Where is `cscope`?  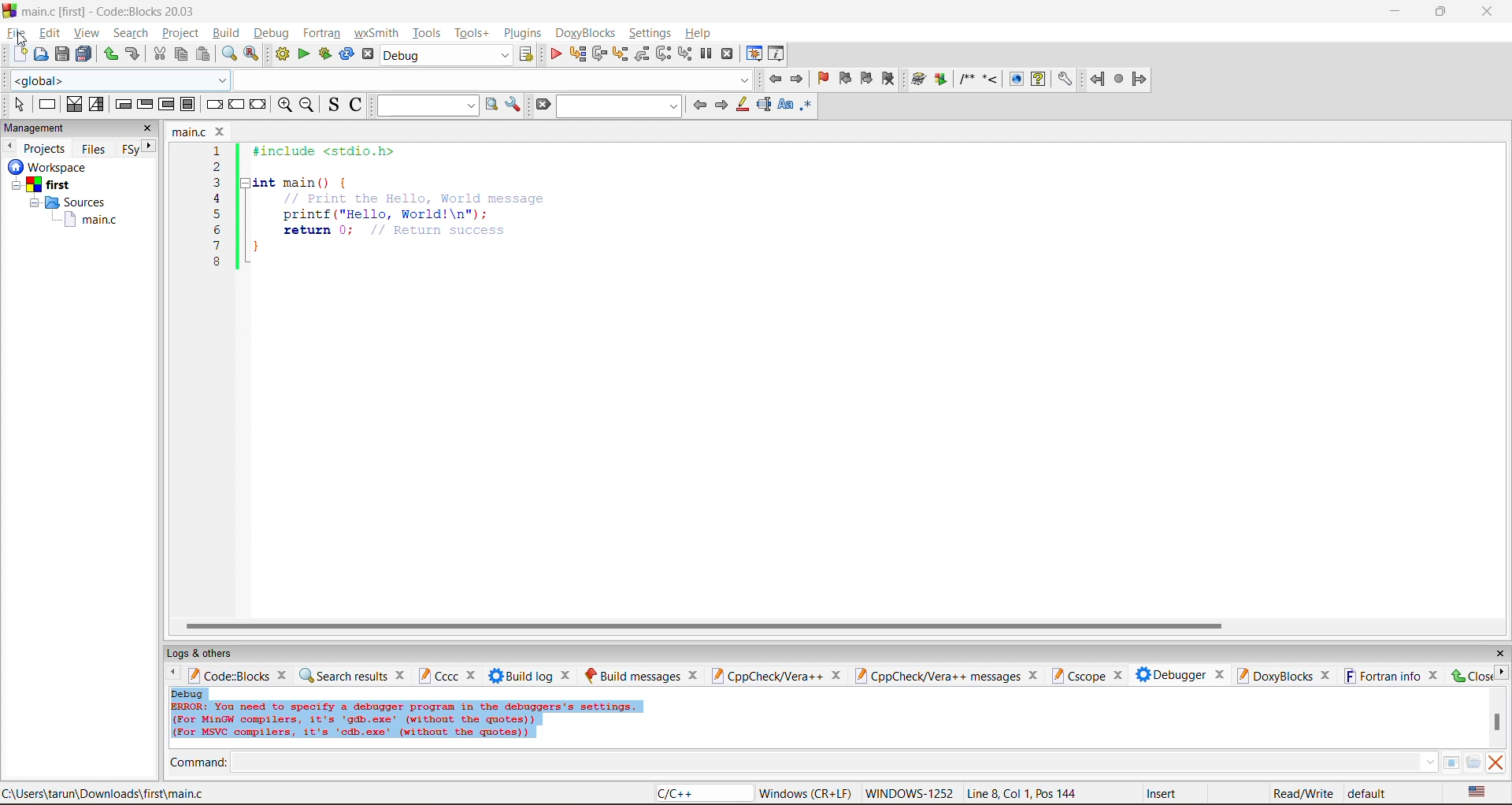
cscope is located at coordinates (1077, 674).